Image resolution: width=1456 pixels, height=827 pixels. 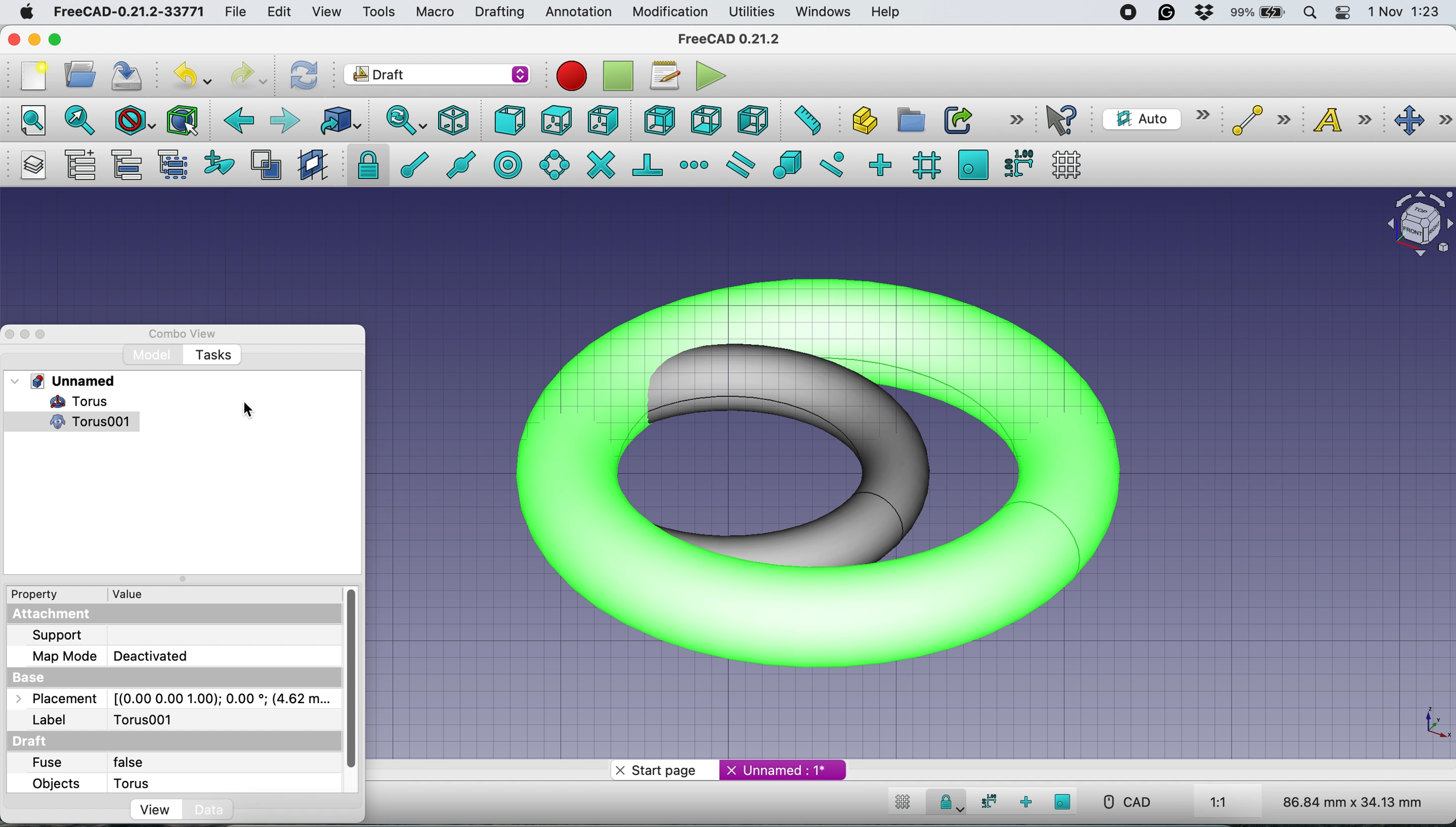 I want to click on left, so click(x=750, y=118).